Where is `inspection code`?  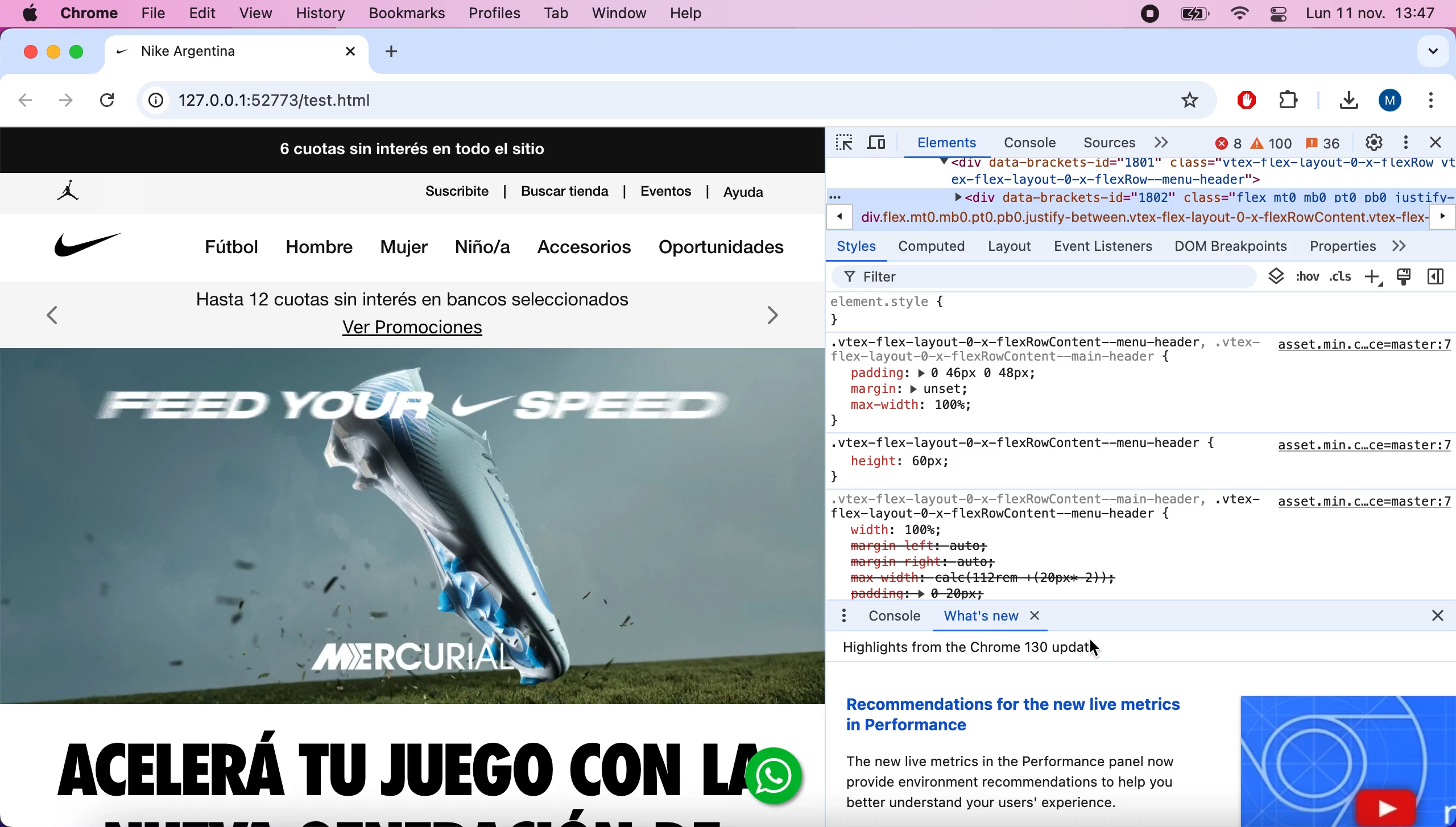
inspection code is located at coordinates (1143, 445).